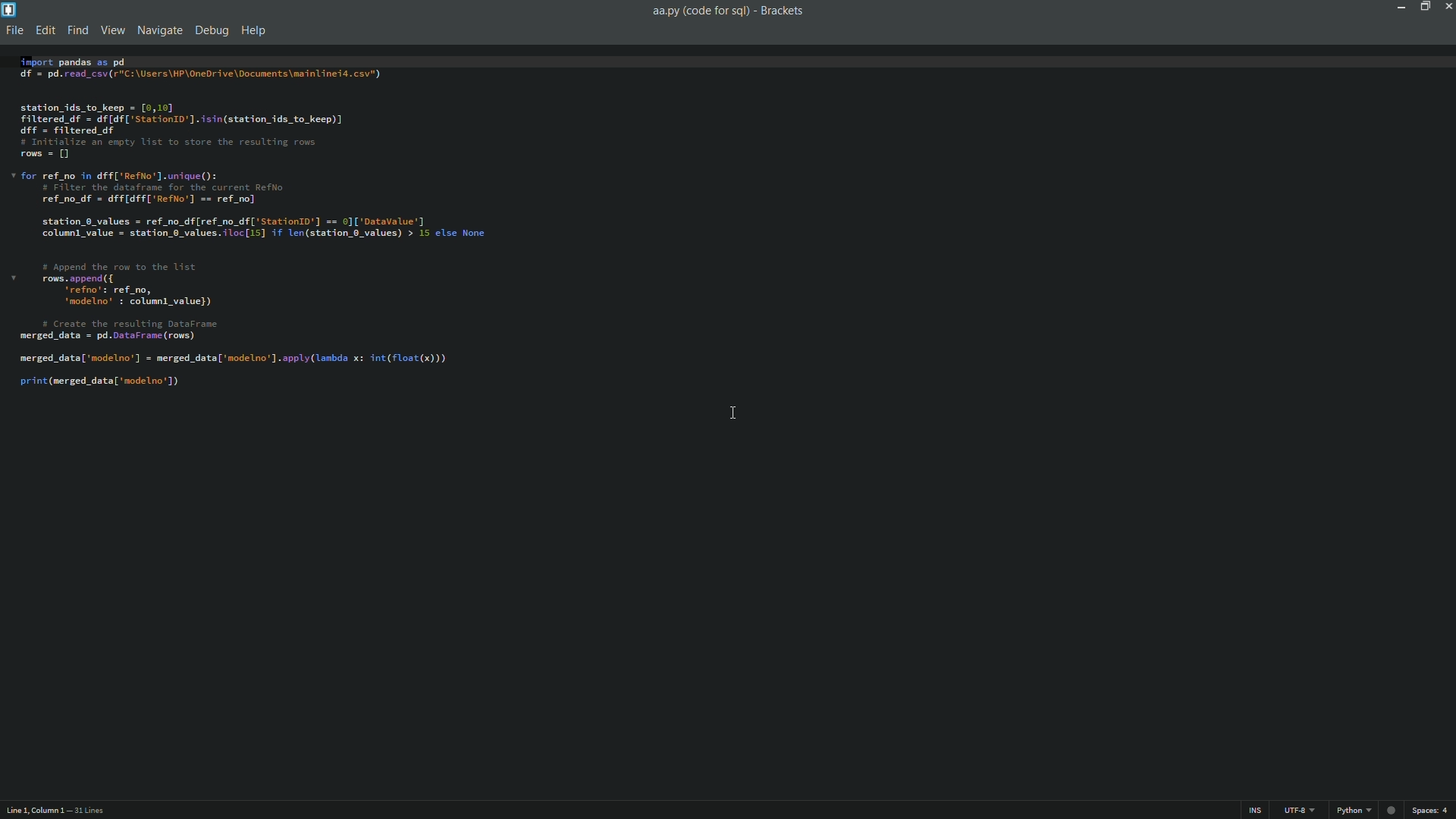 This screenshot has width=1456, height=819. What do you see at coordinates (9, 9) in the screenshot?
I see `app icon` at bounding box center [9, 9].